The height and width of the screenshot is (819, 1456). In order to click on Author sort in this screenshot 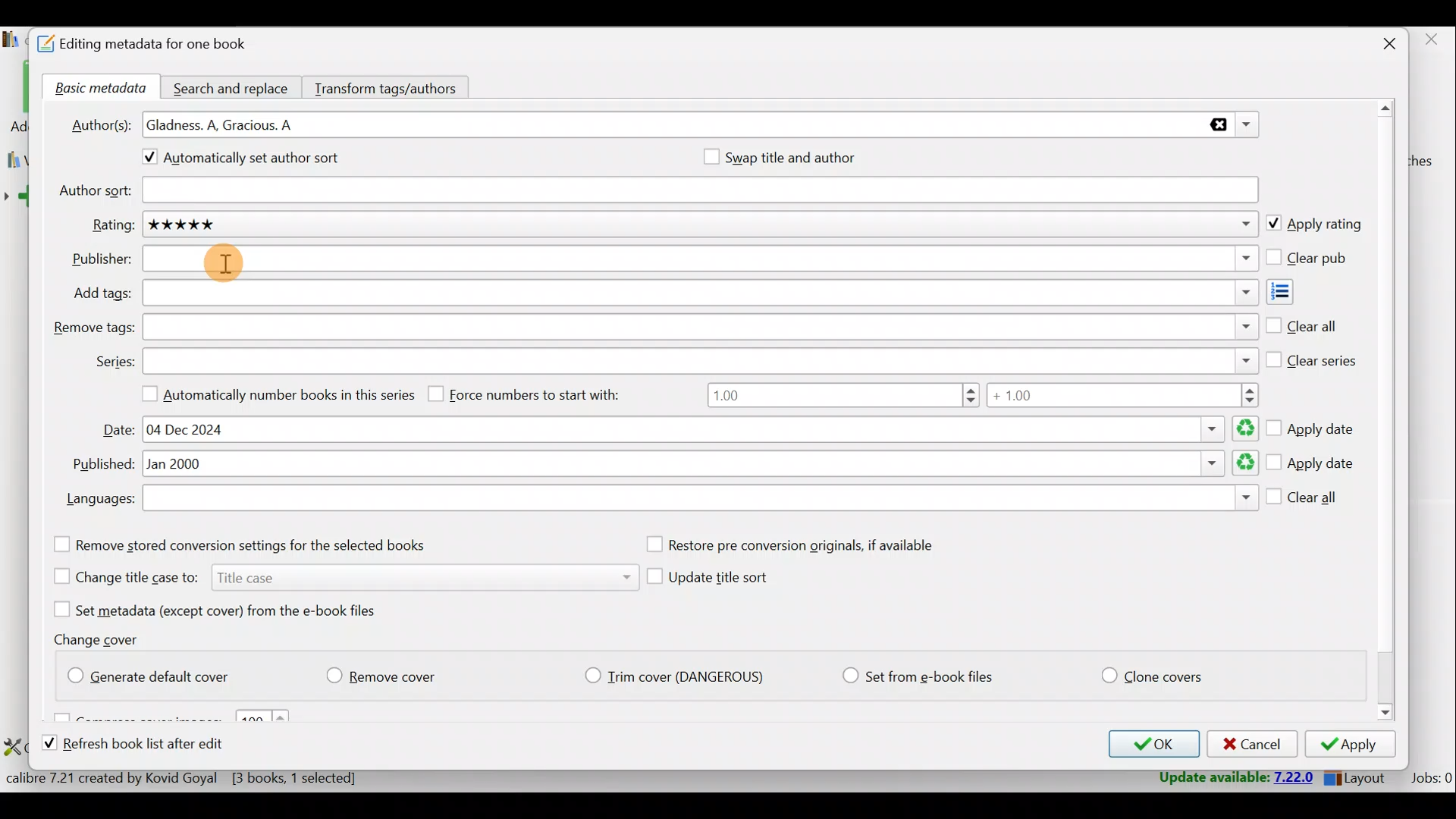, I will do `click(699, 191)`.